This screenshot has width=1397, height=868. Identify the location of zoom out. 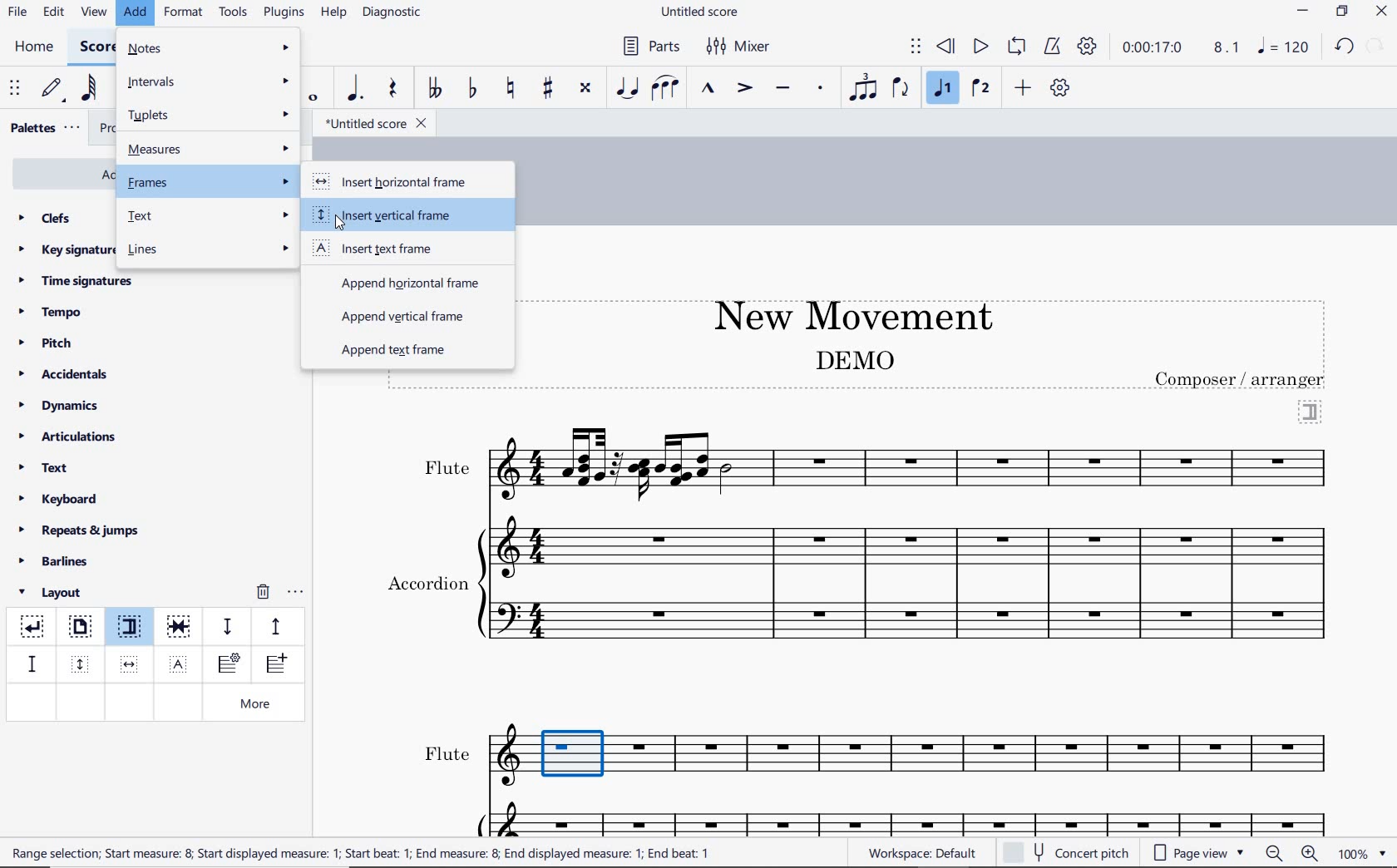
(1276, 853).